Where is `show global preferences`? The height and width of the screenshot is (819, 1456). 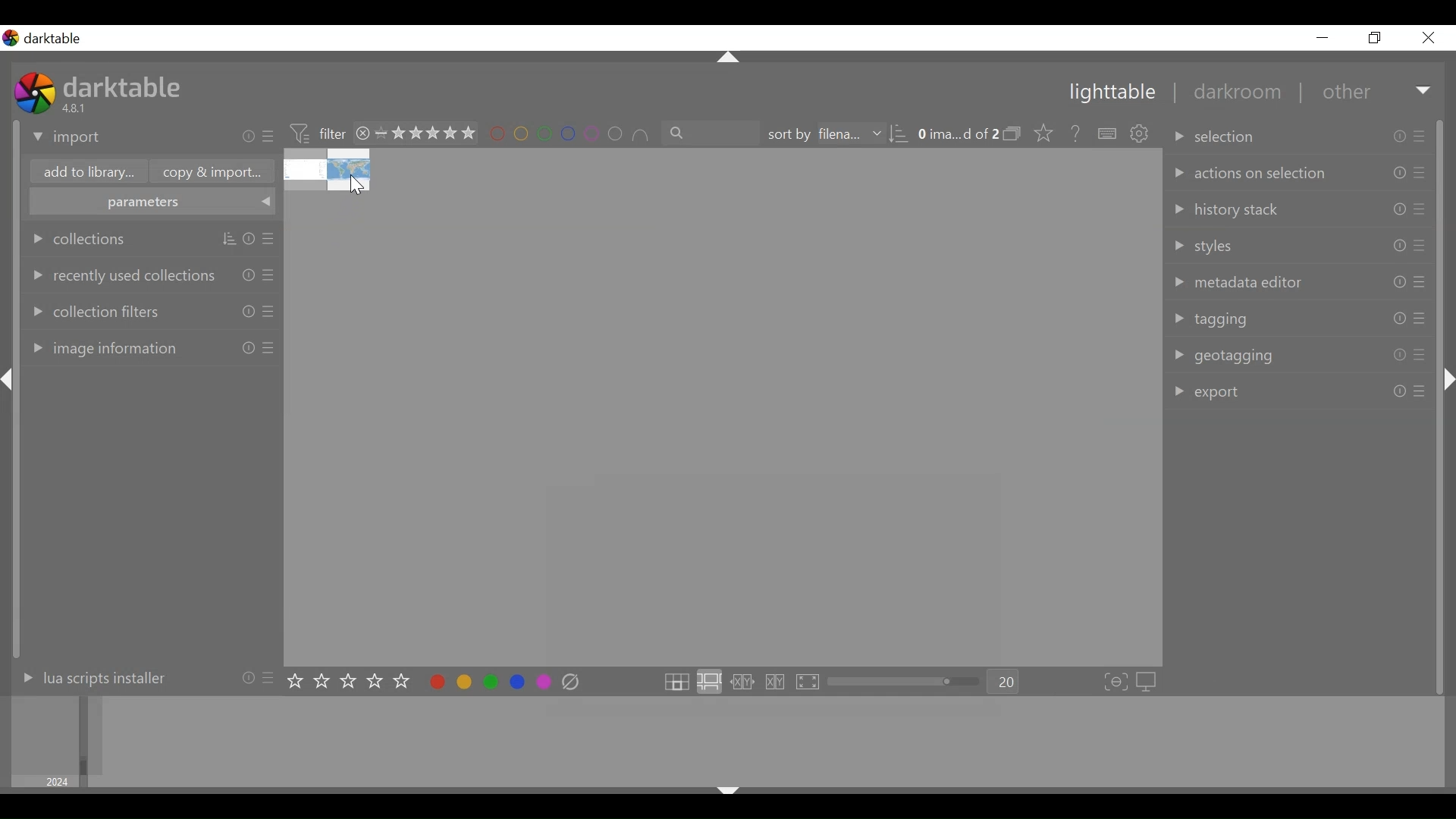 show global preferences is located at coordinates (1141, 134).